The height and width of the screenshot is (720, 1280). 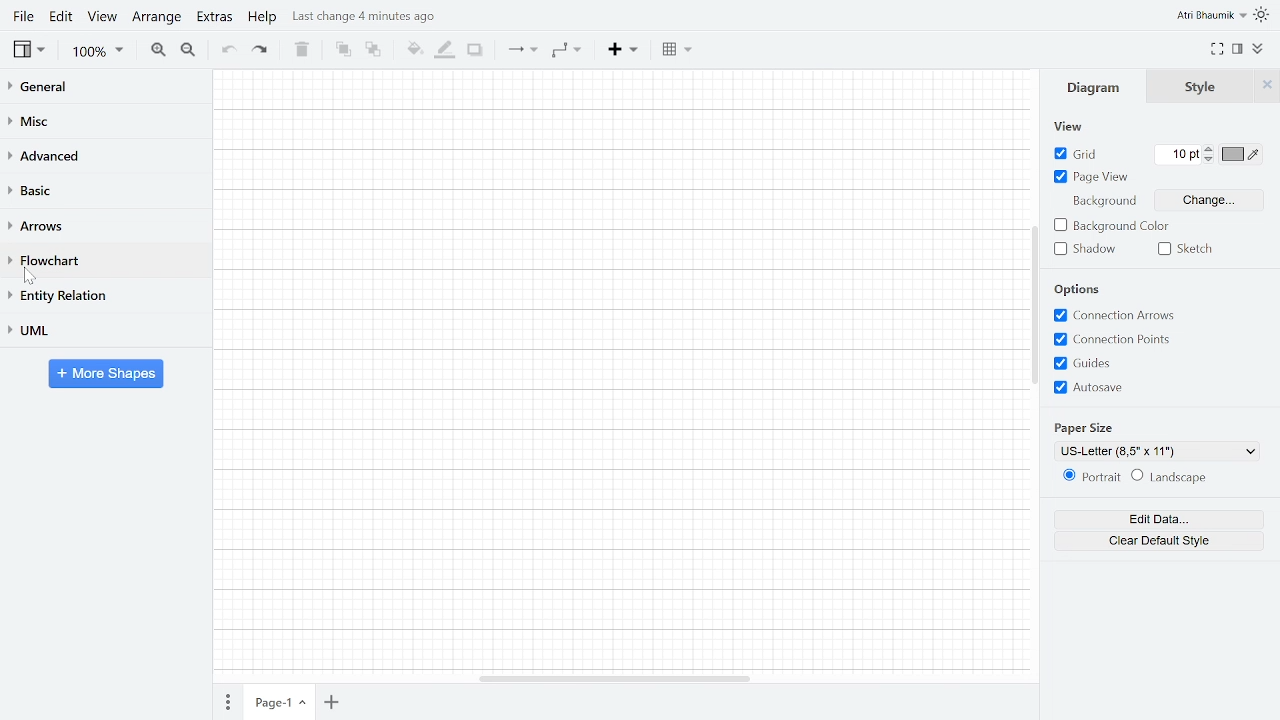 I want to click on File, so click(x=21, y=16).